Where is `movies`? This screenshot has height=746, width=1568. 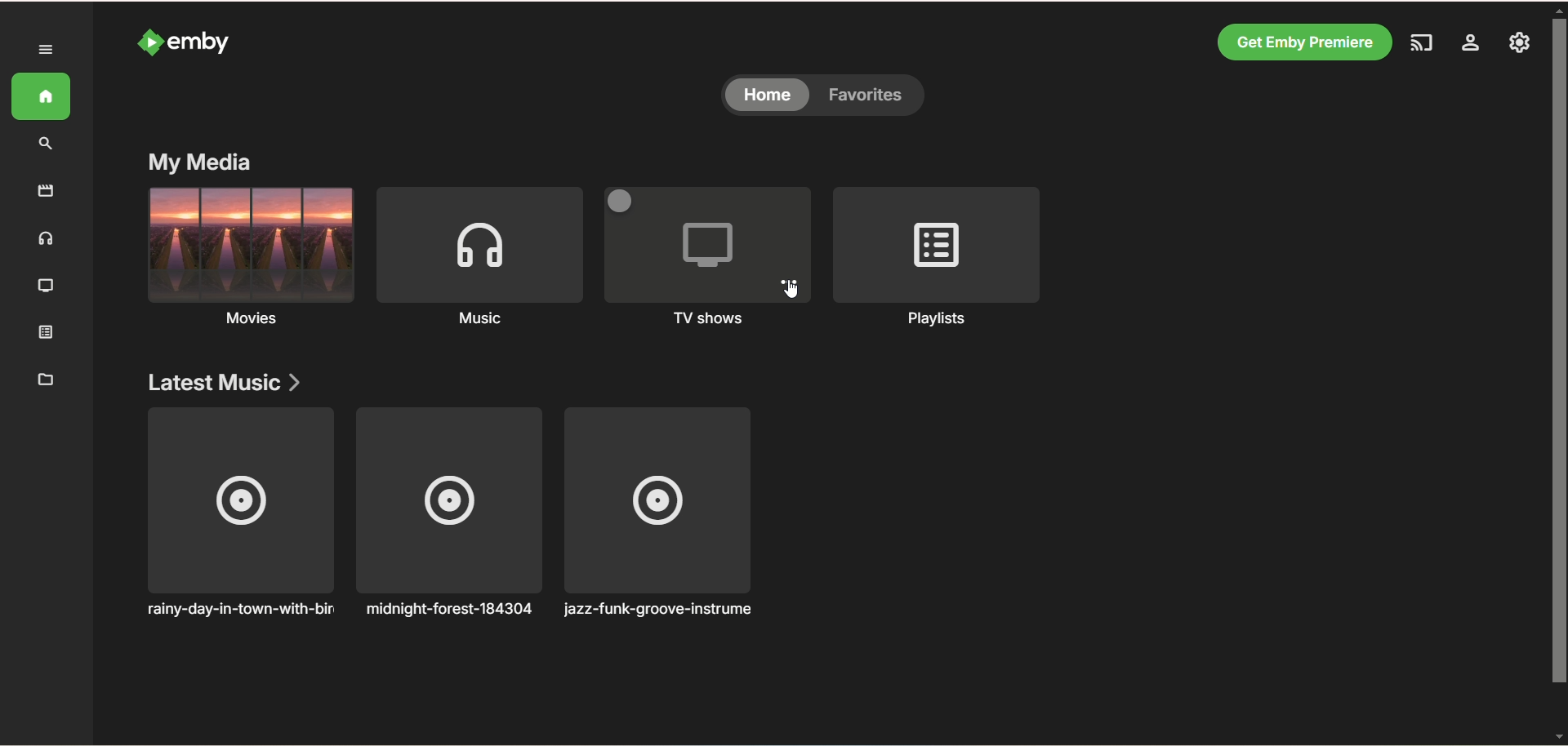 movies is located at coordinates (249, 260).